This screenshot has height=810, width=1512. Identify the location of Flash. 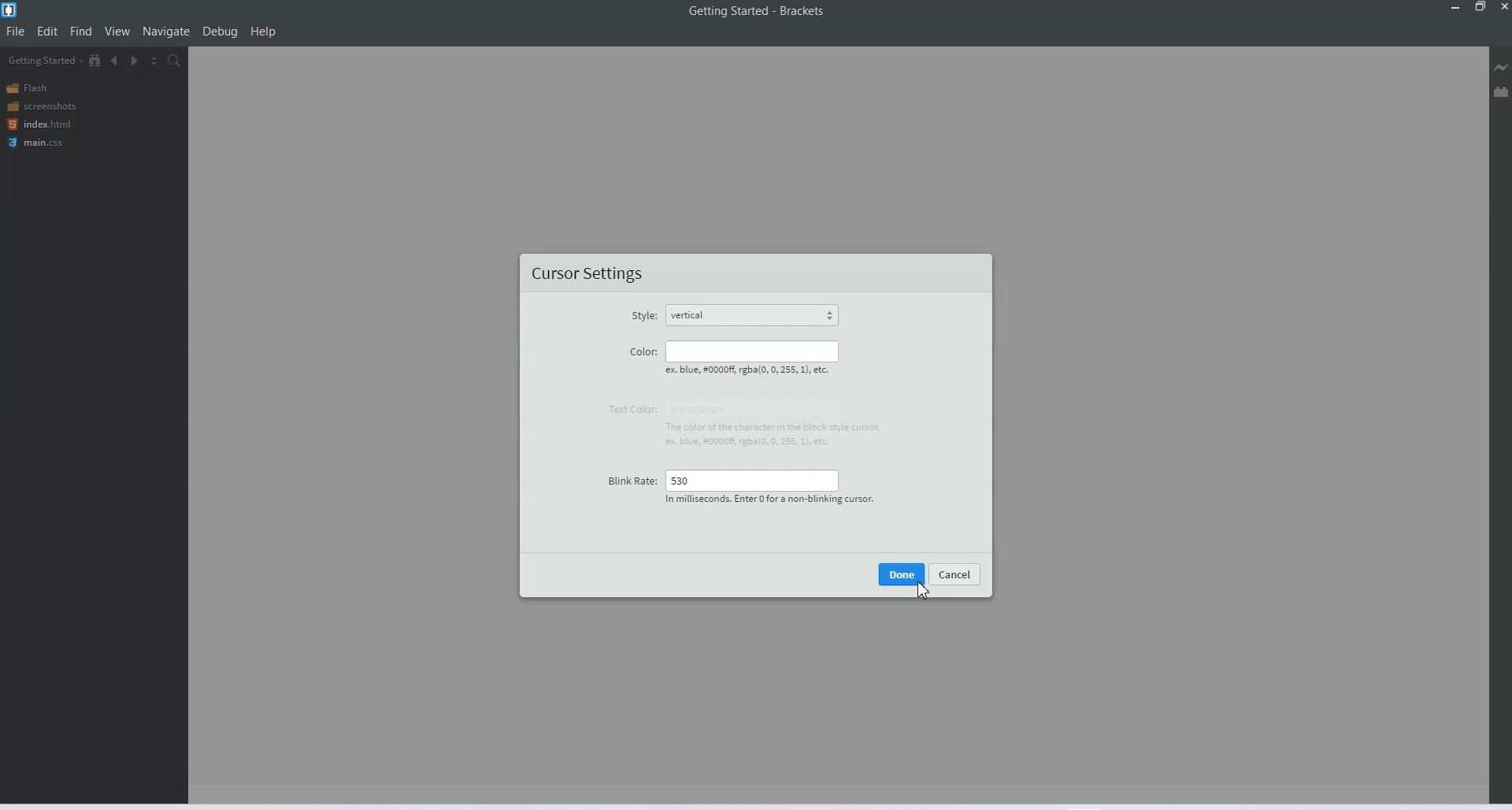
(30, 88).